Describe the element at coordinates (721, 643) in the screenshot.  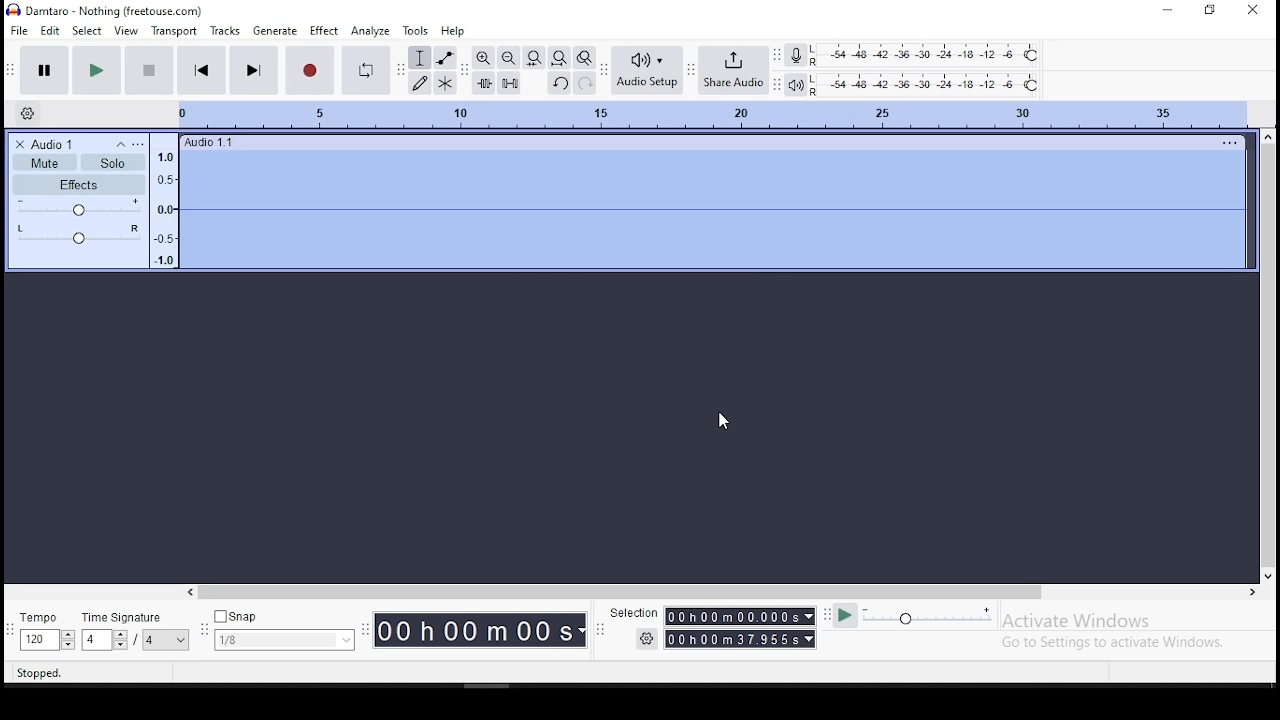
I see `Timer with settings` at that location.